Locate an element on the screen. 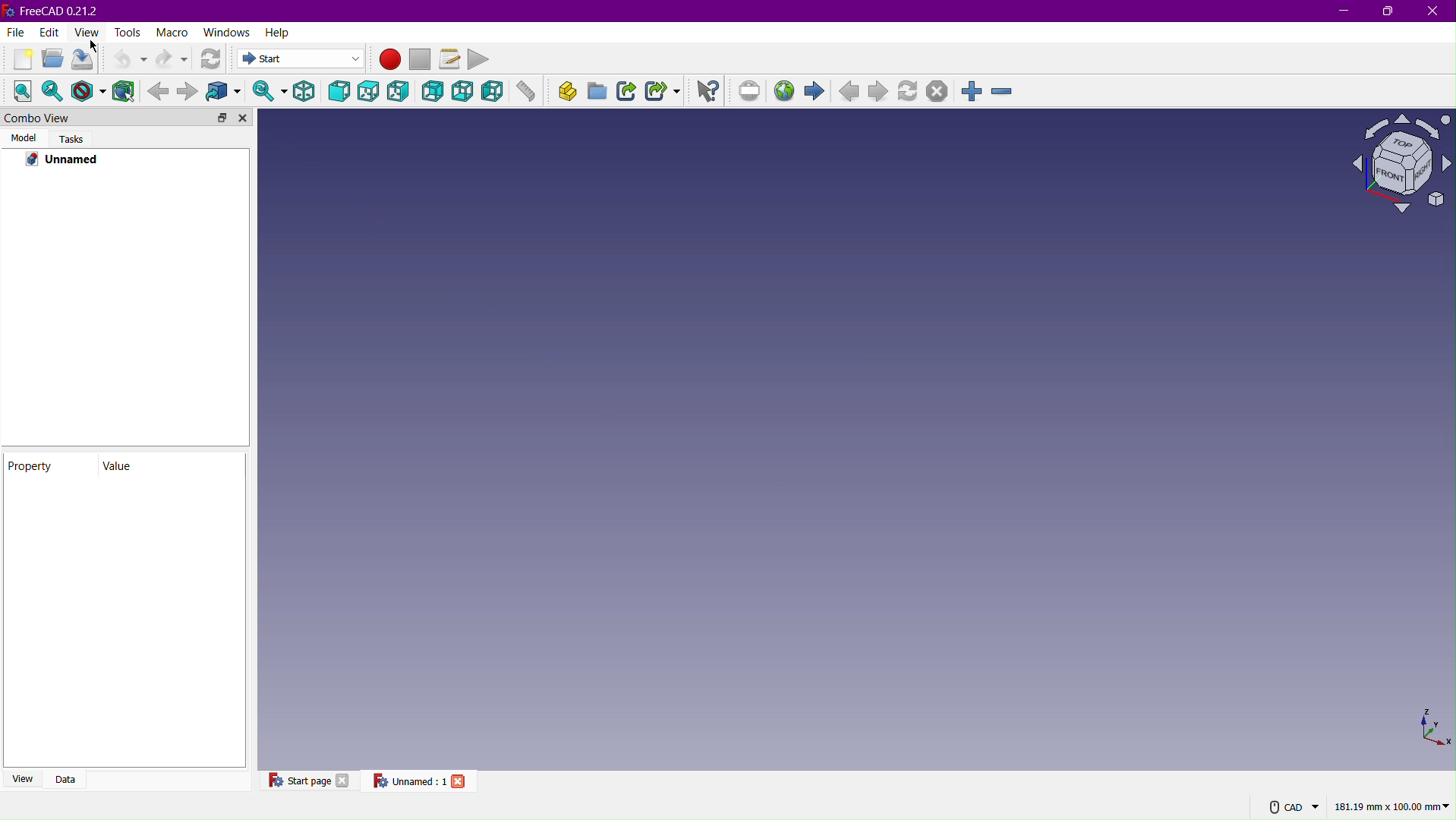 The image size is (1456, 820). Start Page is located at coordinates (314, 780).